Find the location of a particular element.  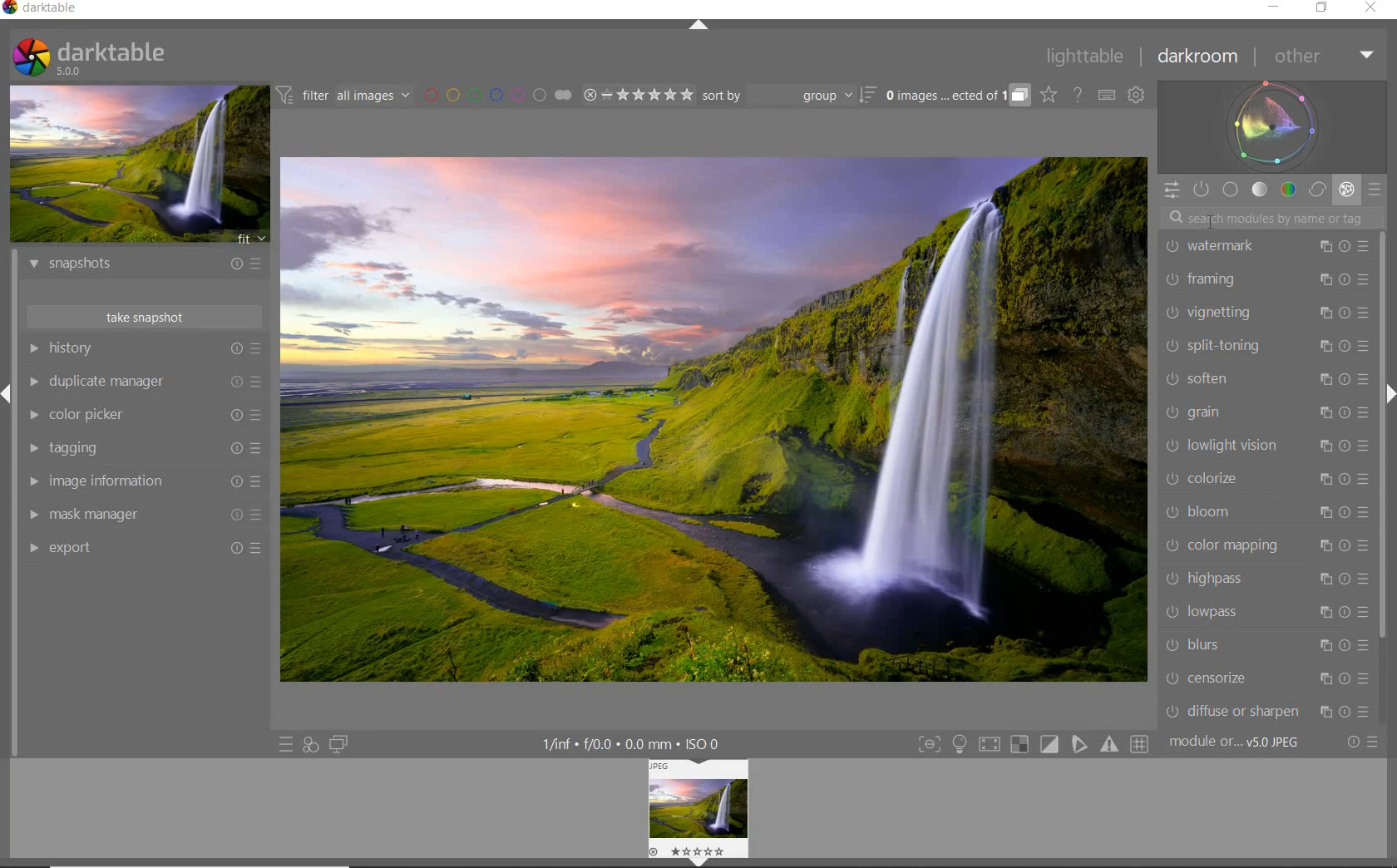

soften is located at coordinates (1267, 379).